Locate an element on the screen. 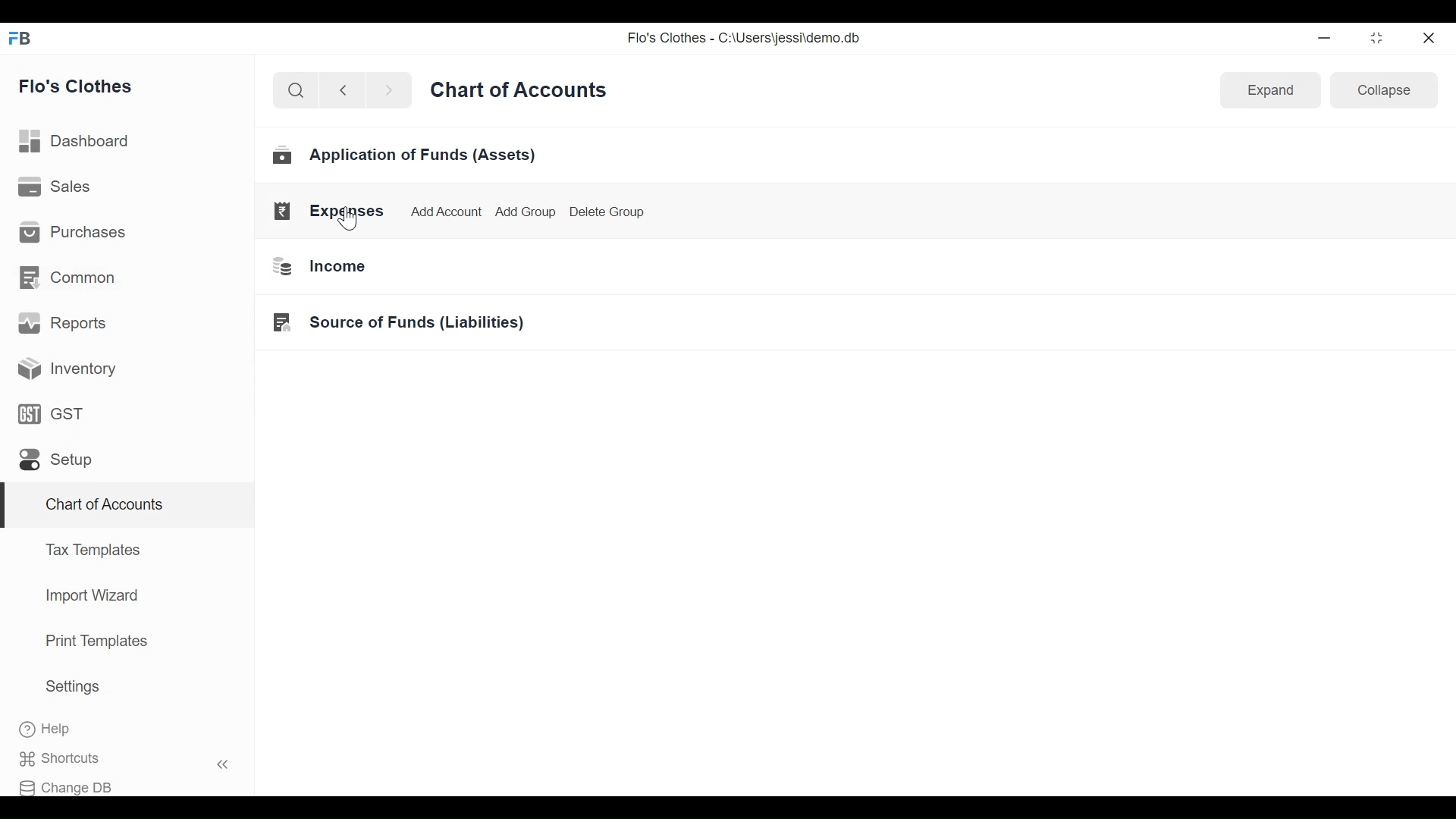  Source of Funds (Liabilities) is located at coordinates (402, 325).